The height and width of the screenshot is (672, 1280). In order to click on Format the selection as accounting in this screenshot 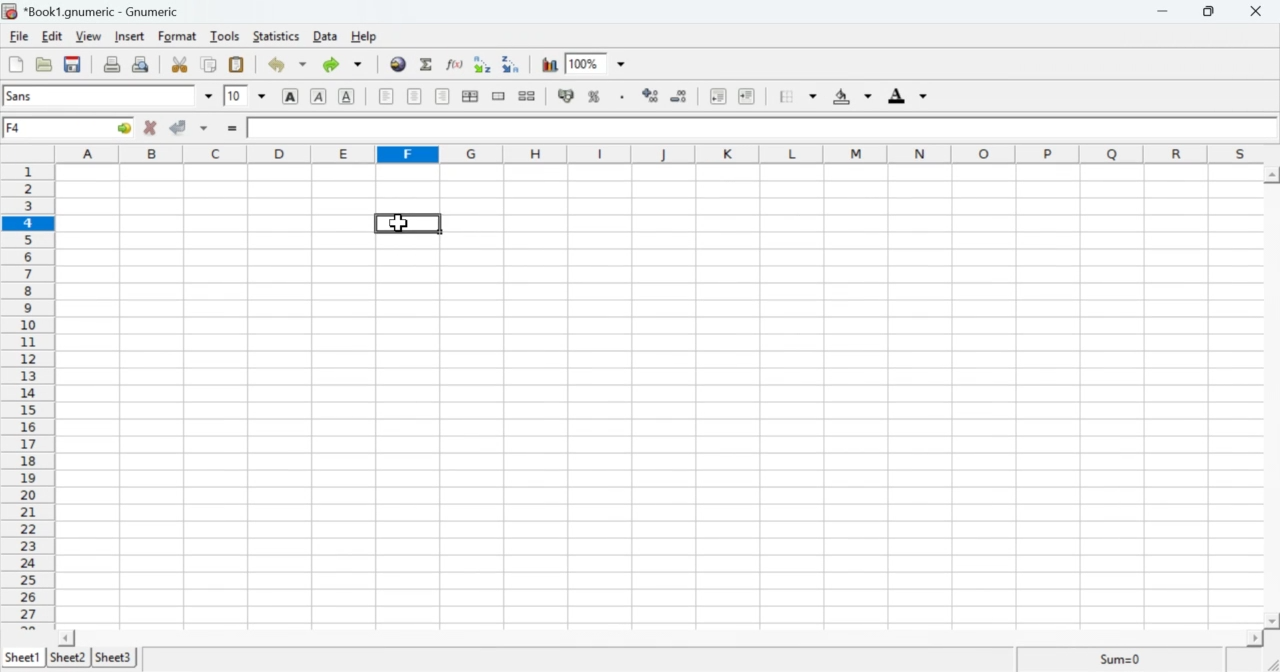, I will do `click(566, 97)`.